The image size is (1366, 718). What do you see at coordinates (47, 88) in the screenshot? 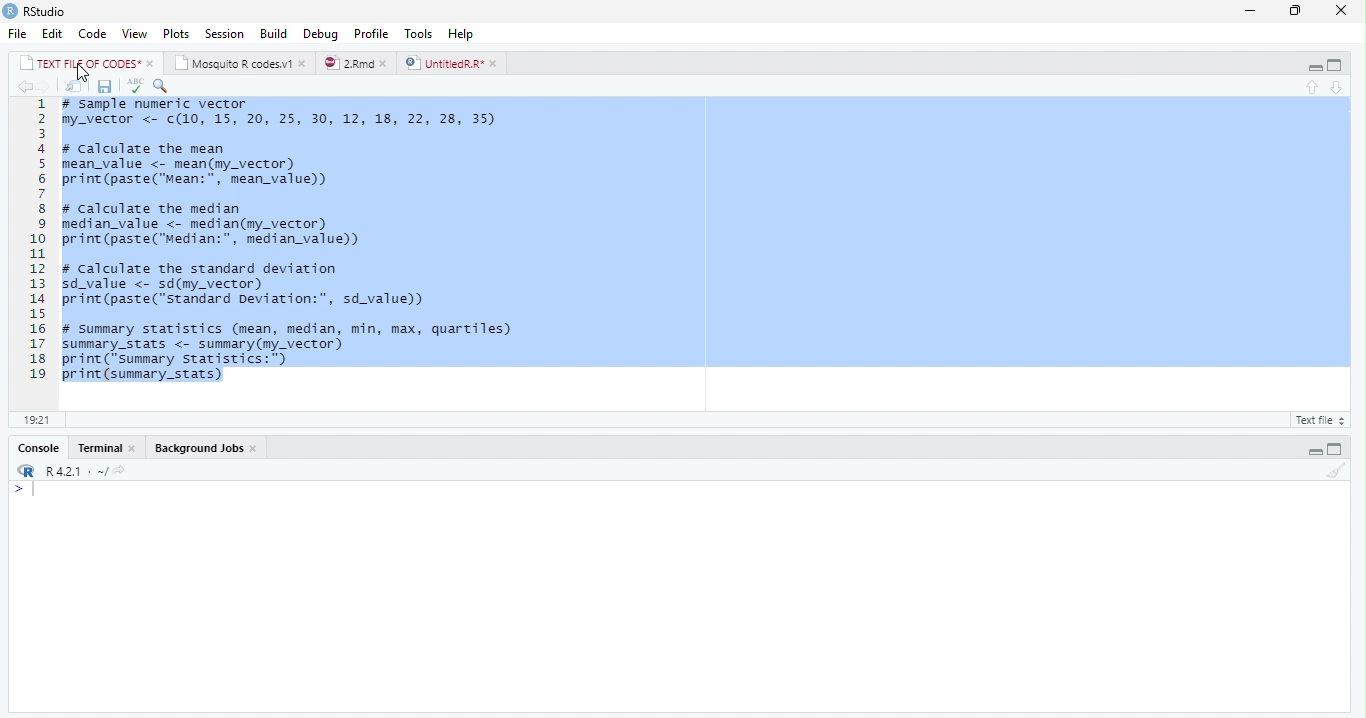
I see `forward` at bounding box center [47, 88].